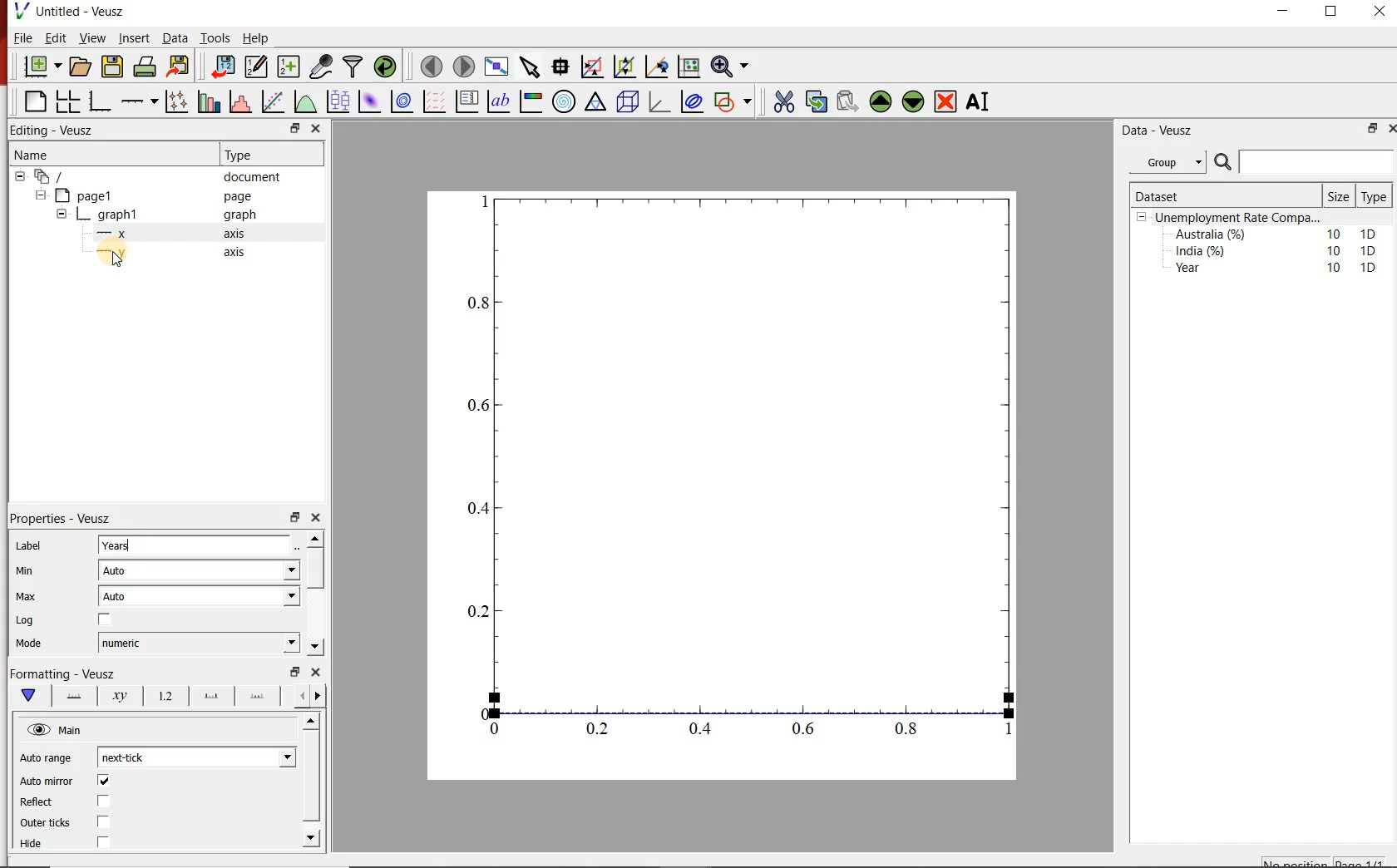  What do you see at coordinates (401, 101) in the screenshot?
I see `plot 2d datasets as contours` at bounding box center [401, 101].